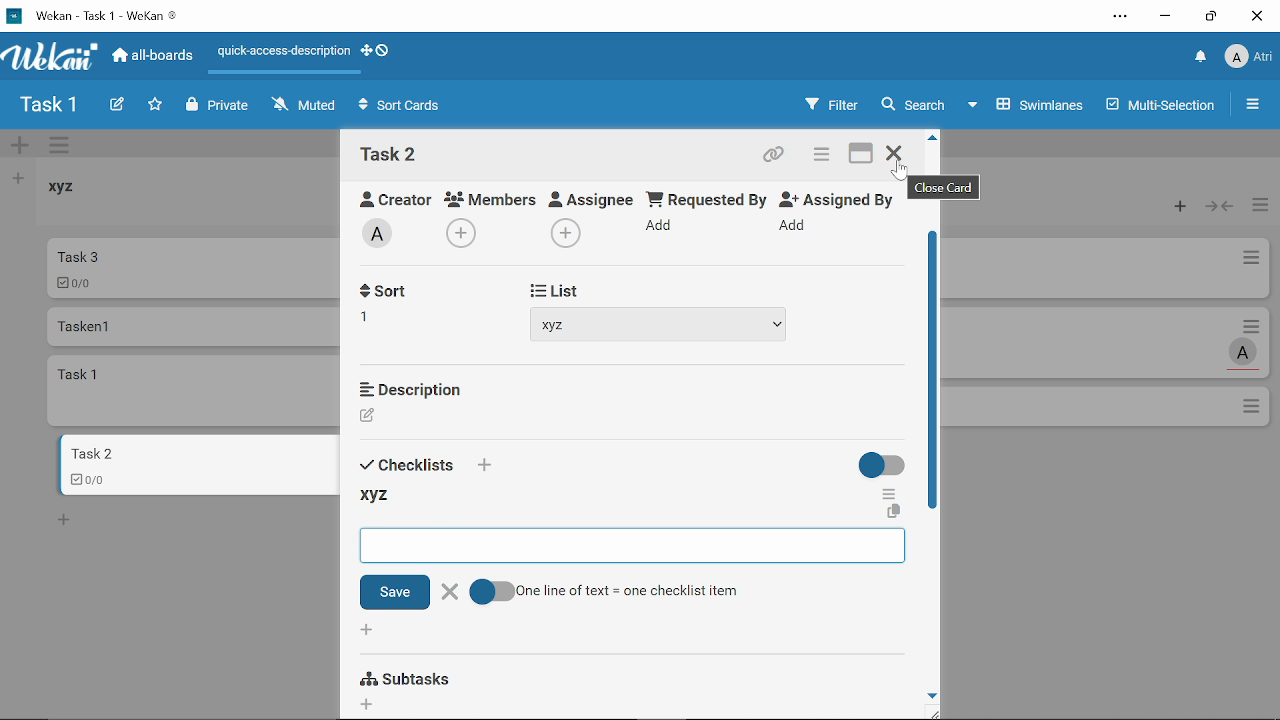 Image resolution: width=1280 pixels, height=720 pixels. I want to click on Add labe;, so click(384, 236).